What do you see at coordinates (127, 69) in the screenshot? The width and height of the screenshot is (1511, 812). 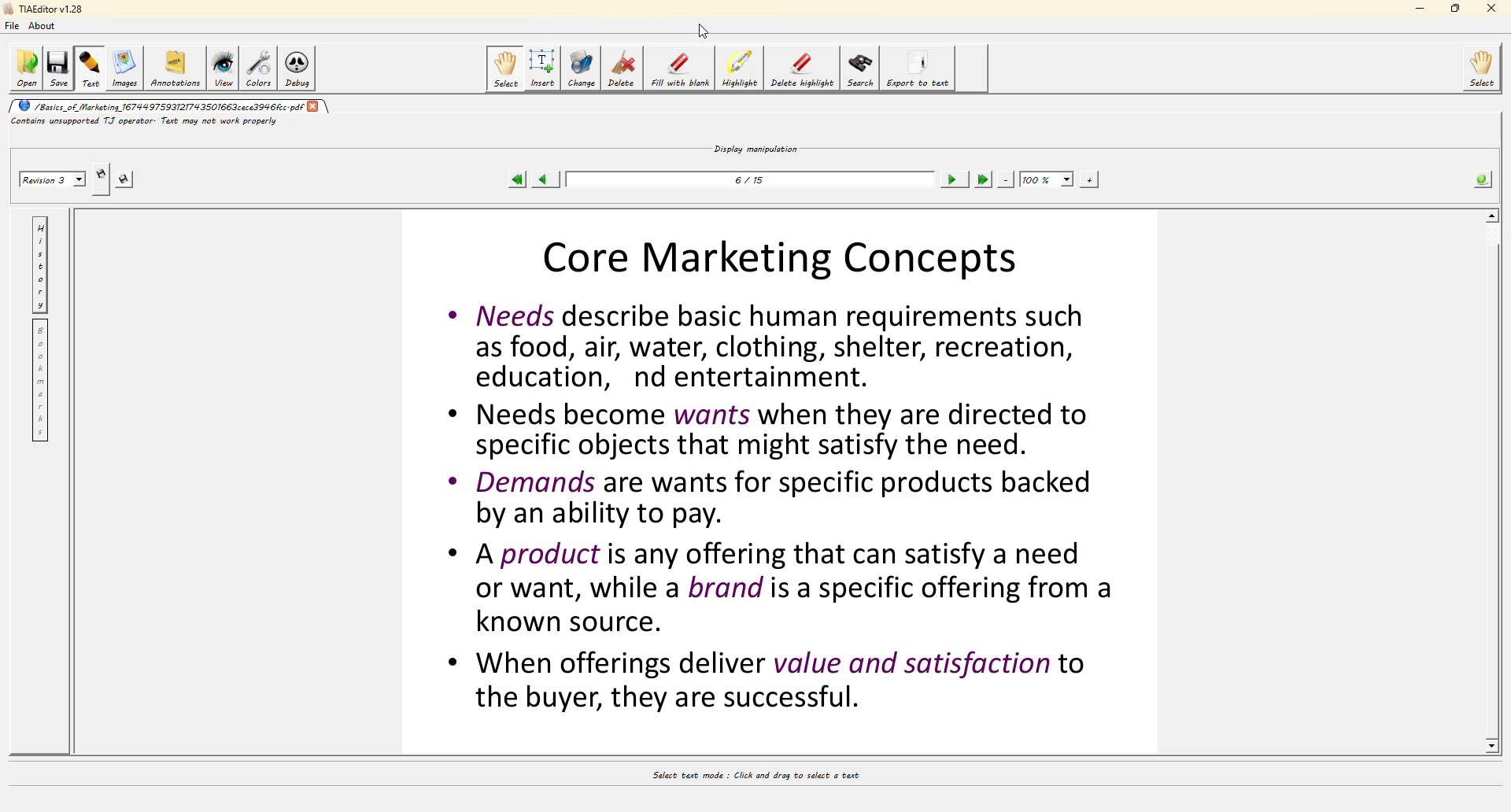 I see `images` at bounding box center [127, 69].